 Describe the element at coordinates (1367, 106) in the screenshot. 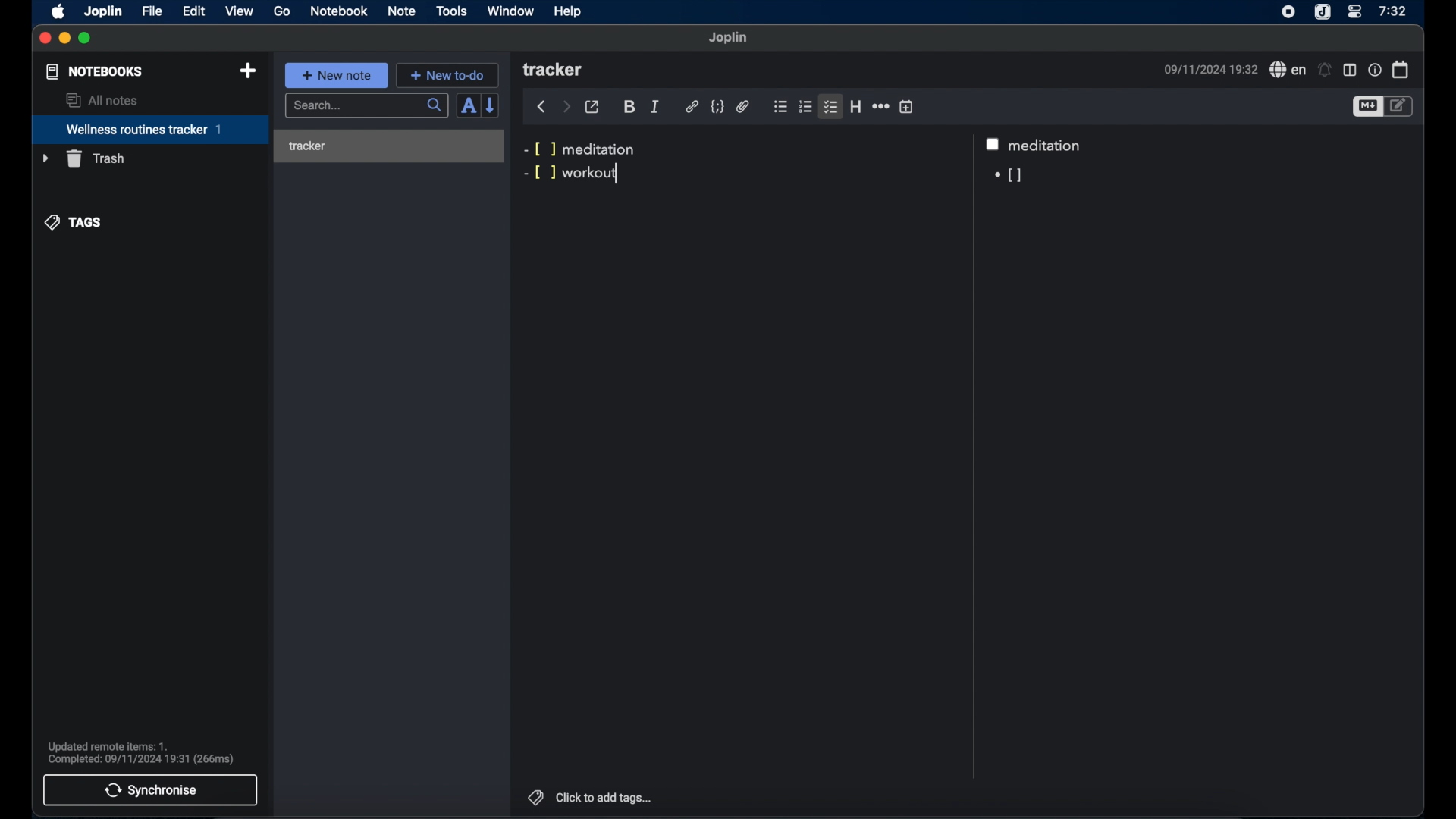

I see `toggle editor` at that location.